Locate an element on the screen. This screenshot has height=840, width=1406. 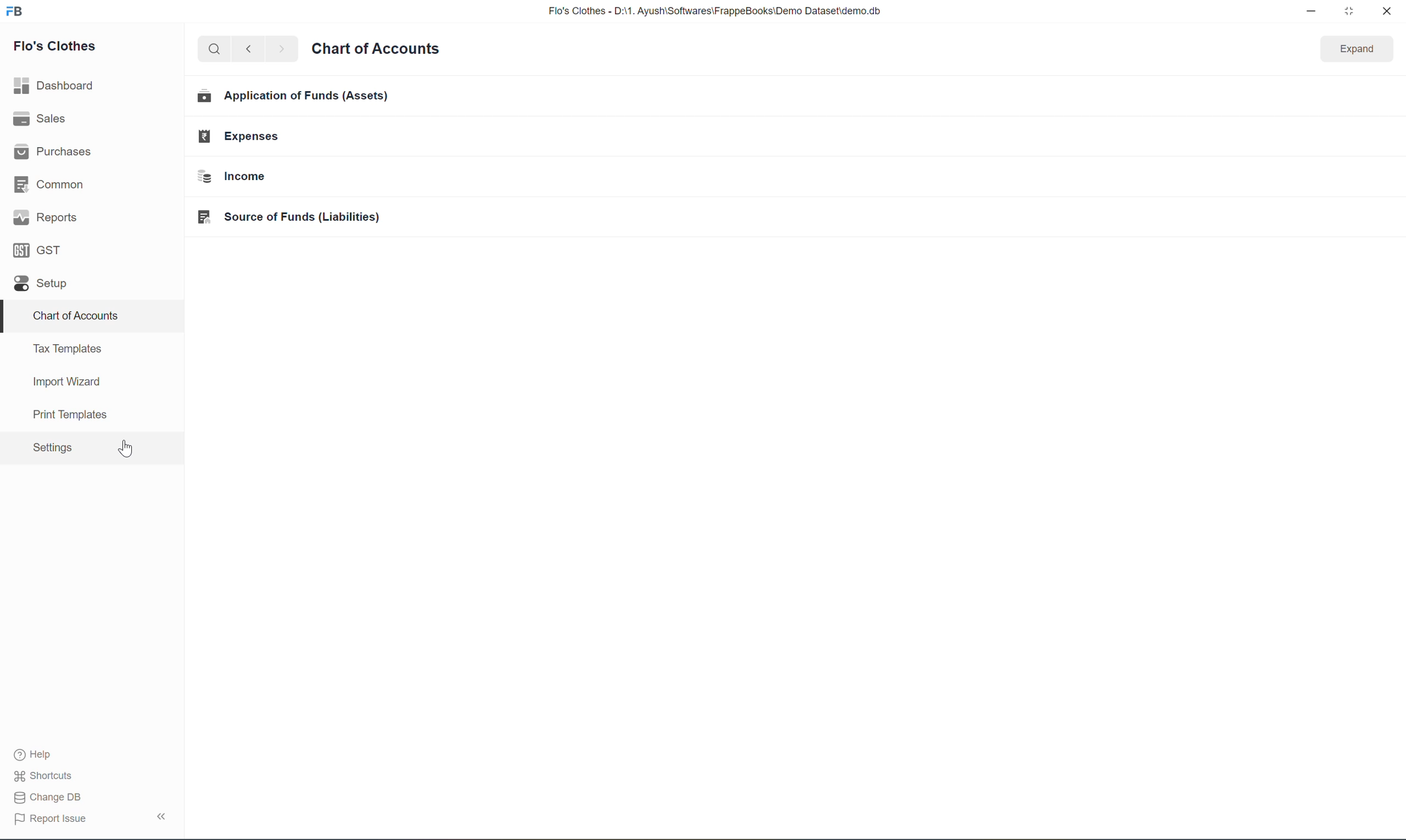
Tax Templates is located at coordinates (67, 350).